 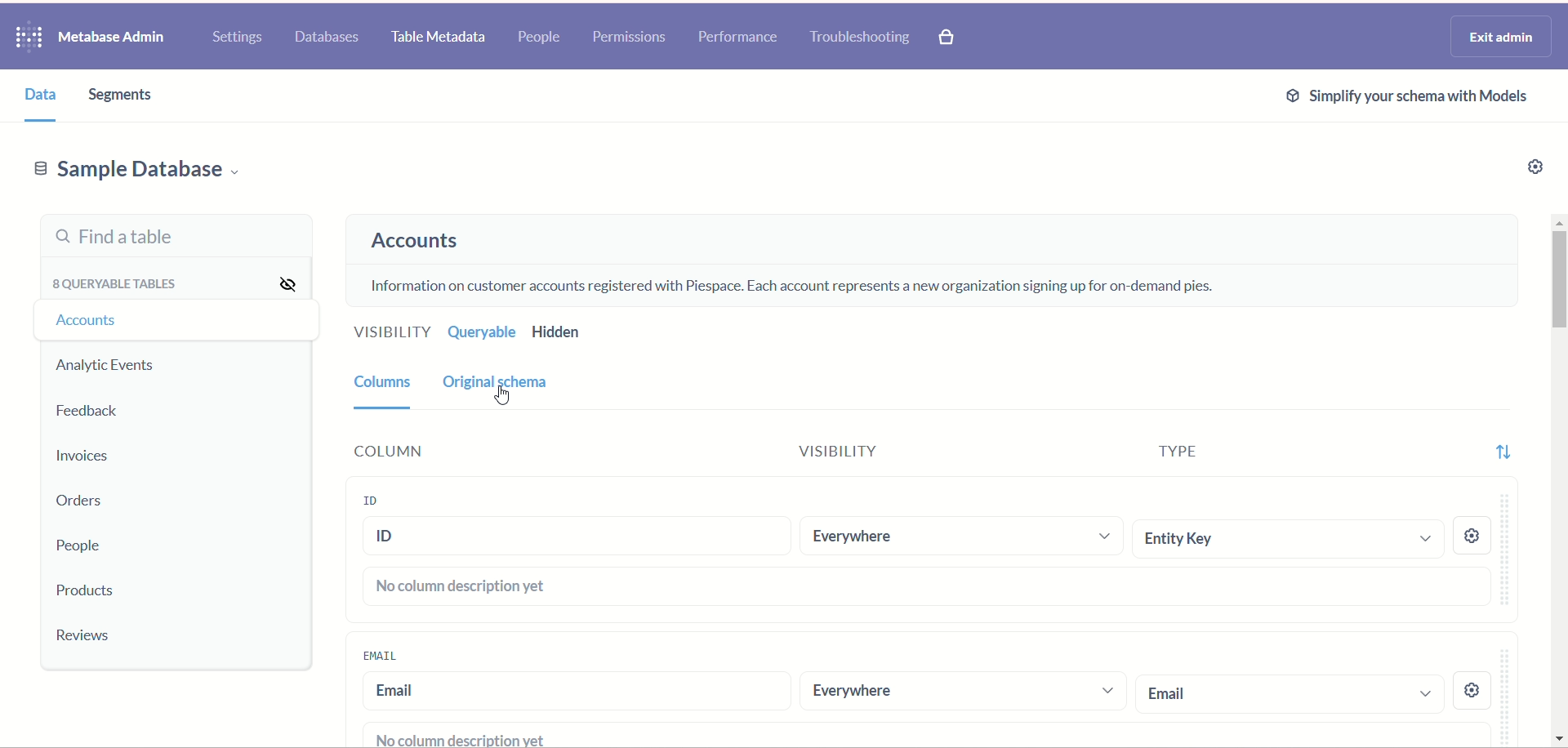 I want to click on invoices, so click(x=90, y=456).